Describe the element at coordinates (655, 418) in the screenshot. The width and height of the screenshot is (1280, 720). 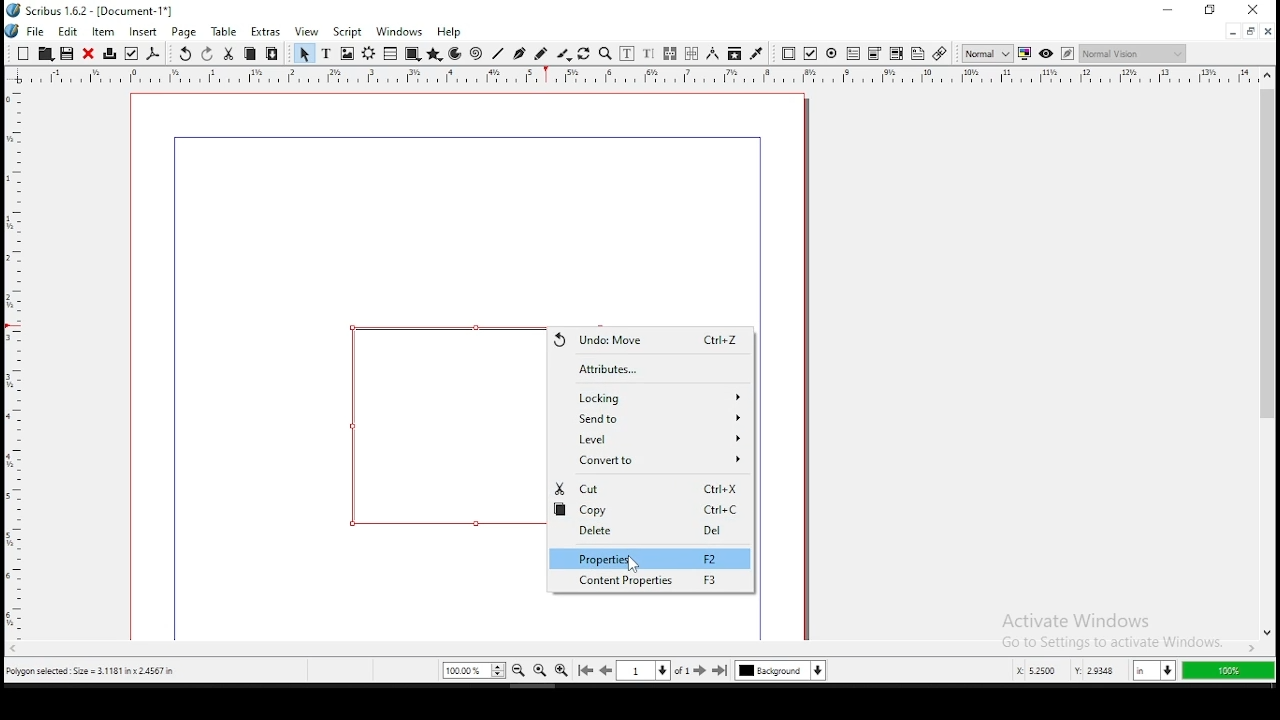
I see `send to` at that location.